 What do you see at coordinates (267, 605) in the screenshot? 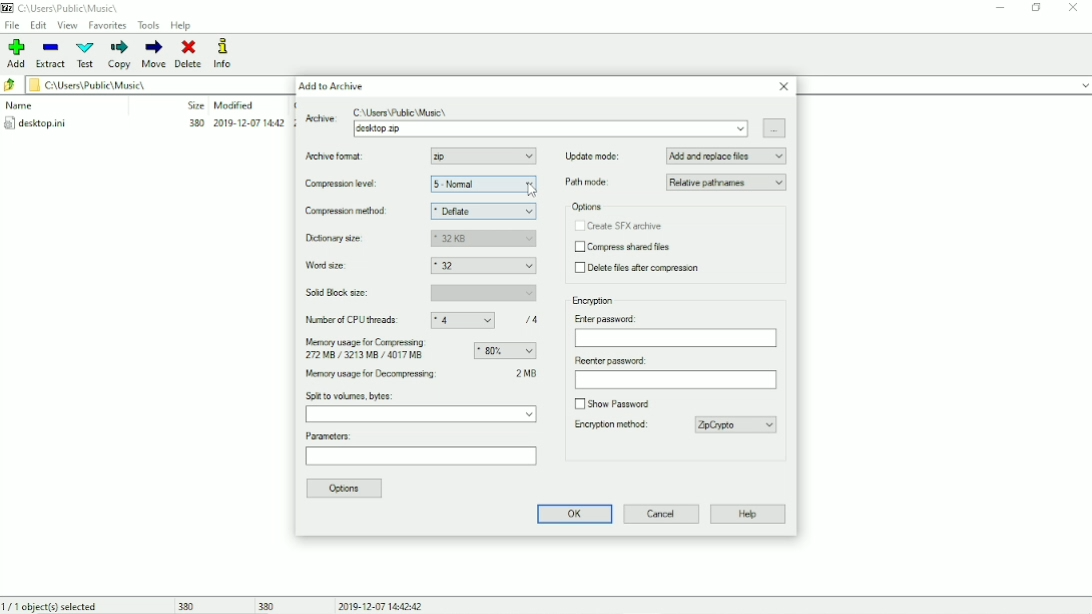
I see `380` at bounding box center [267, 605].